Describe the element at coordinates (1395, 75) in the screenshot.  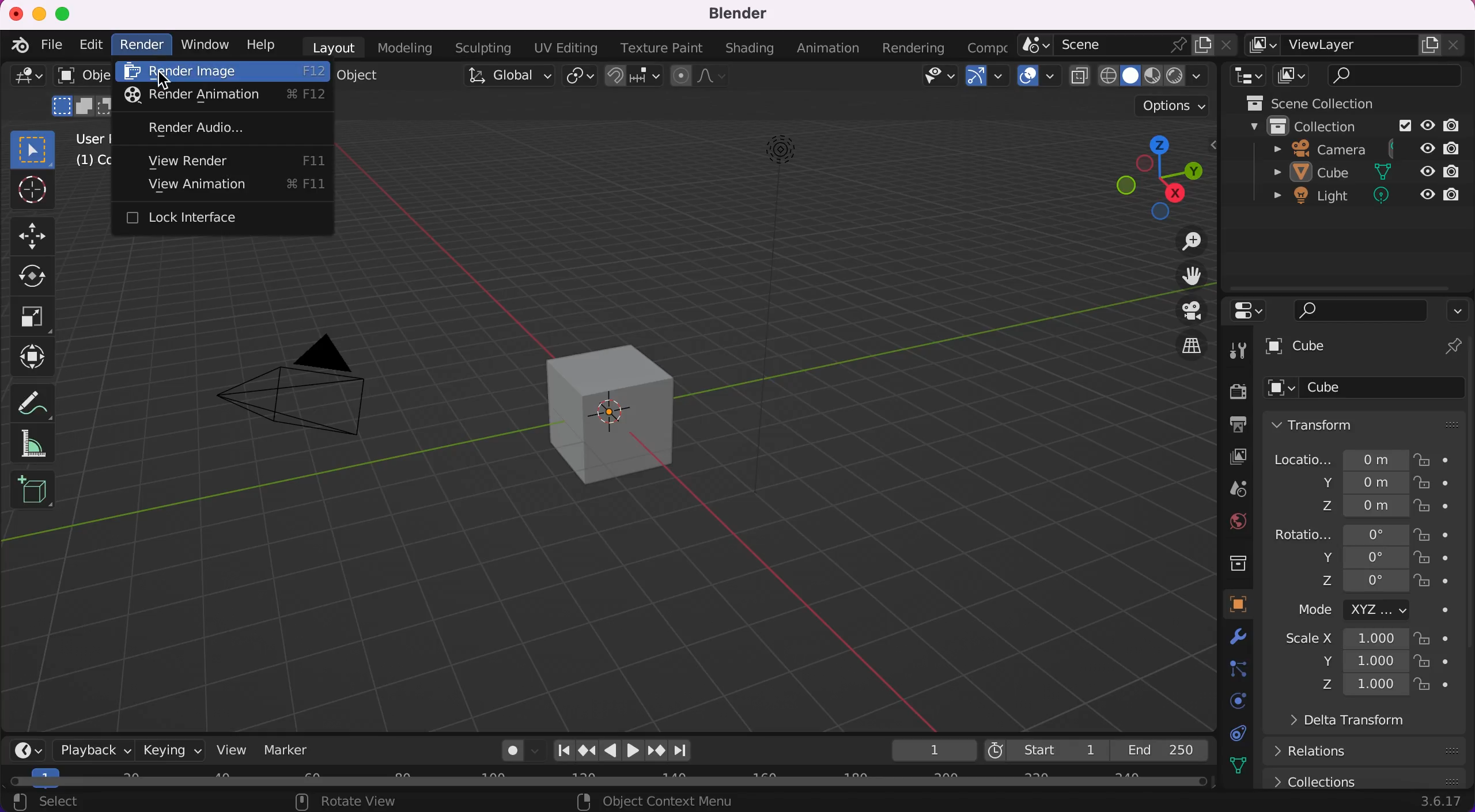
I see `search bar` at that location.